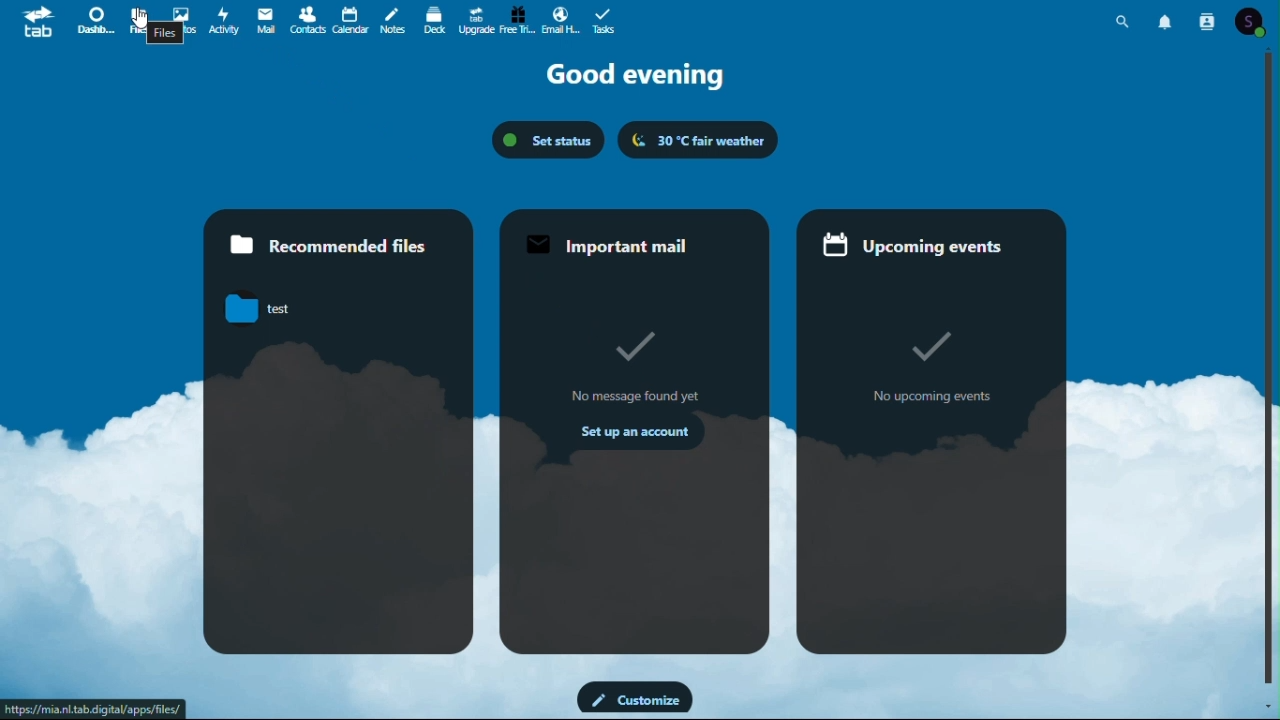 The width and height of the screenshot is (1280, 720). Describe the element at coordinates (930, 431) in the screenshot. I see `upcoming events` at that location.